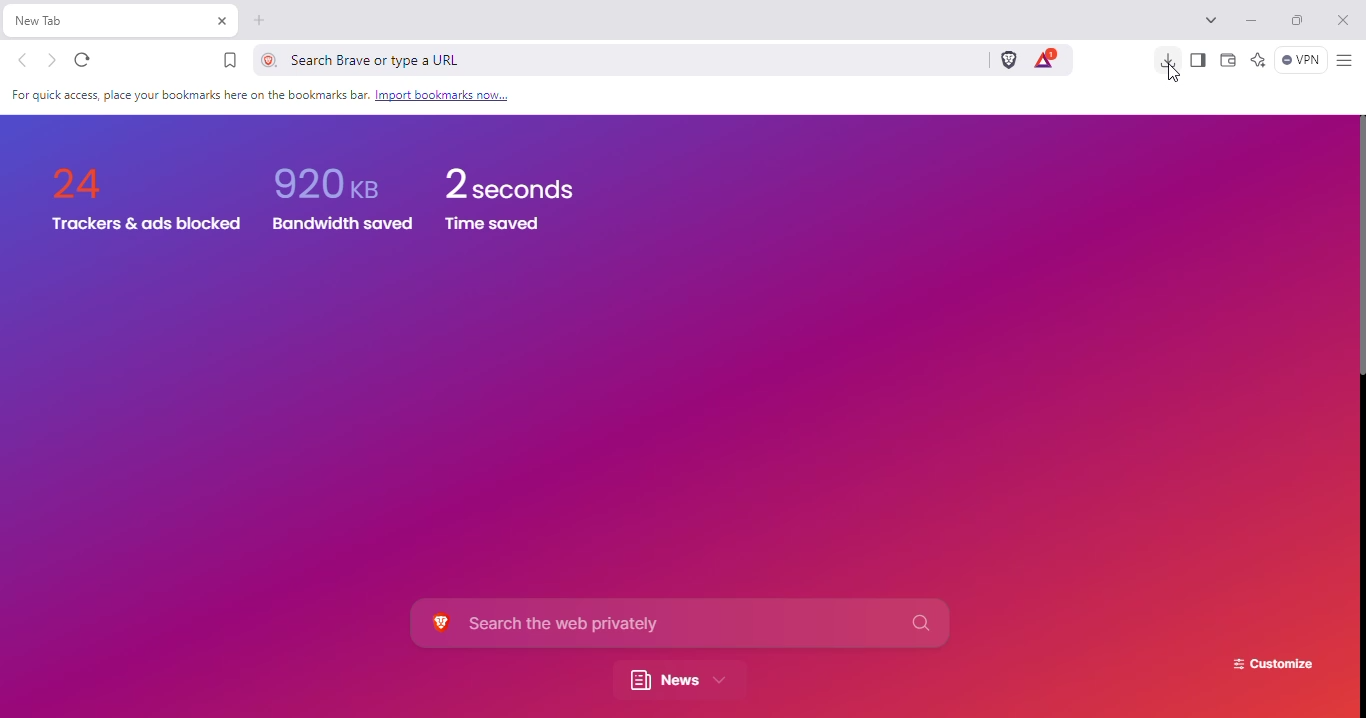 This screenshot has height=718, width=1366. Describe the element at coordinates (1229, 59) in the screenshot. I see `wallet` at that location.